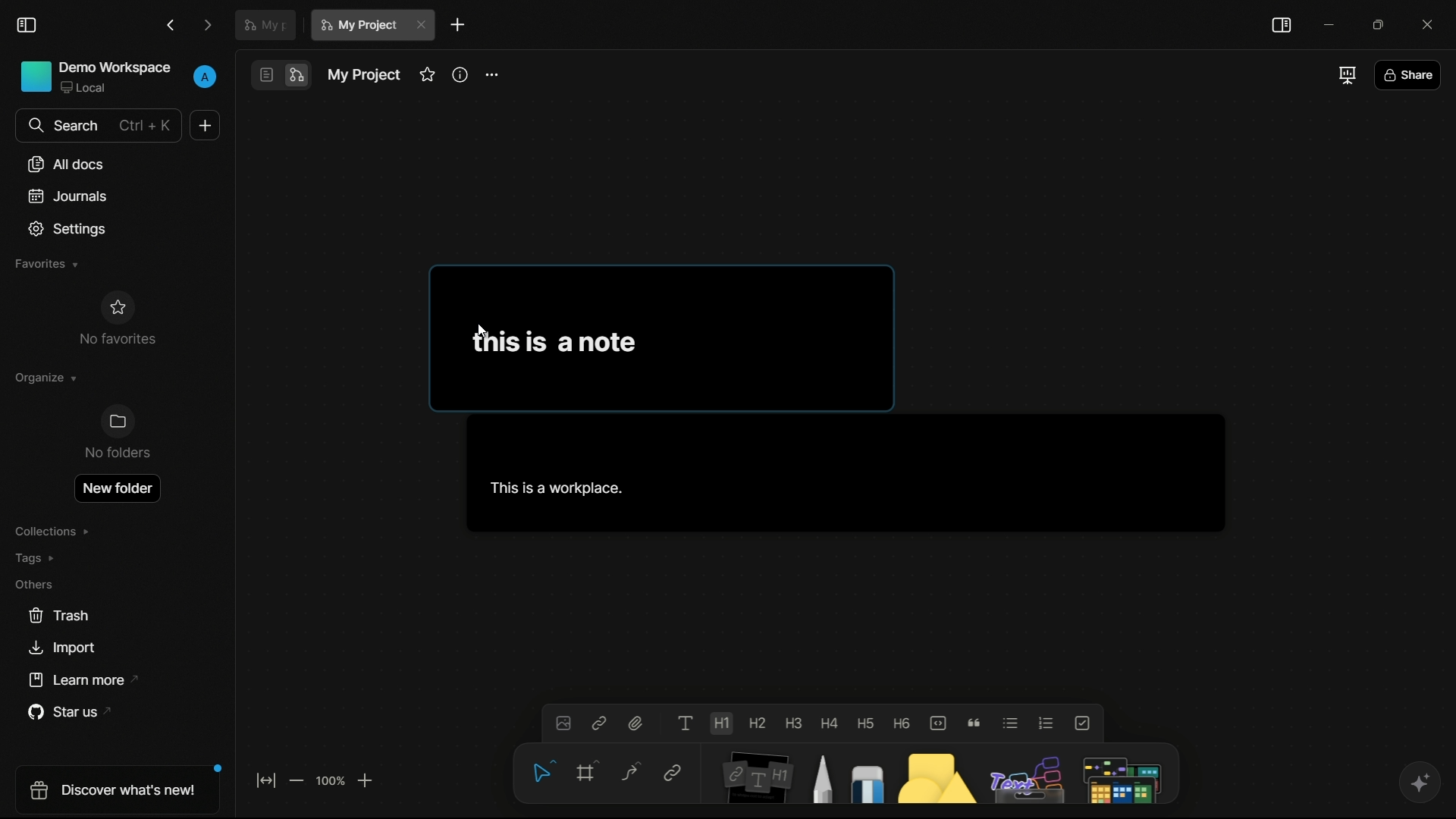 This screenshot has height=819, width=1456. Describe the element at coordinates (76, 681) in the screenshot. I see `learn more` at that location.